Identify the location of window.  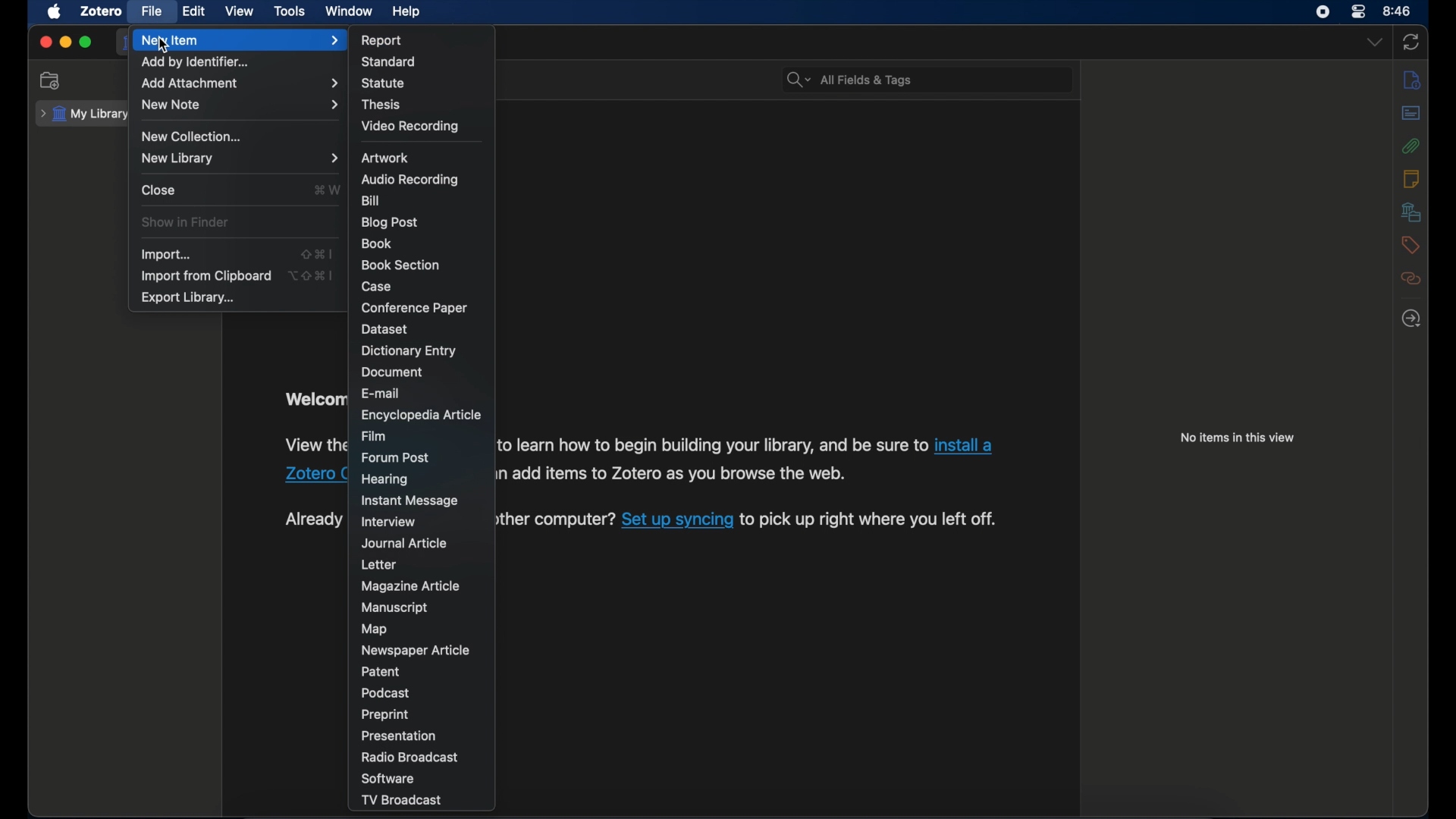
(350, 11).